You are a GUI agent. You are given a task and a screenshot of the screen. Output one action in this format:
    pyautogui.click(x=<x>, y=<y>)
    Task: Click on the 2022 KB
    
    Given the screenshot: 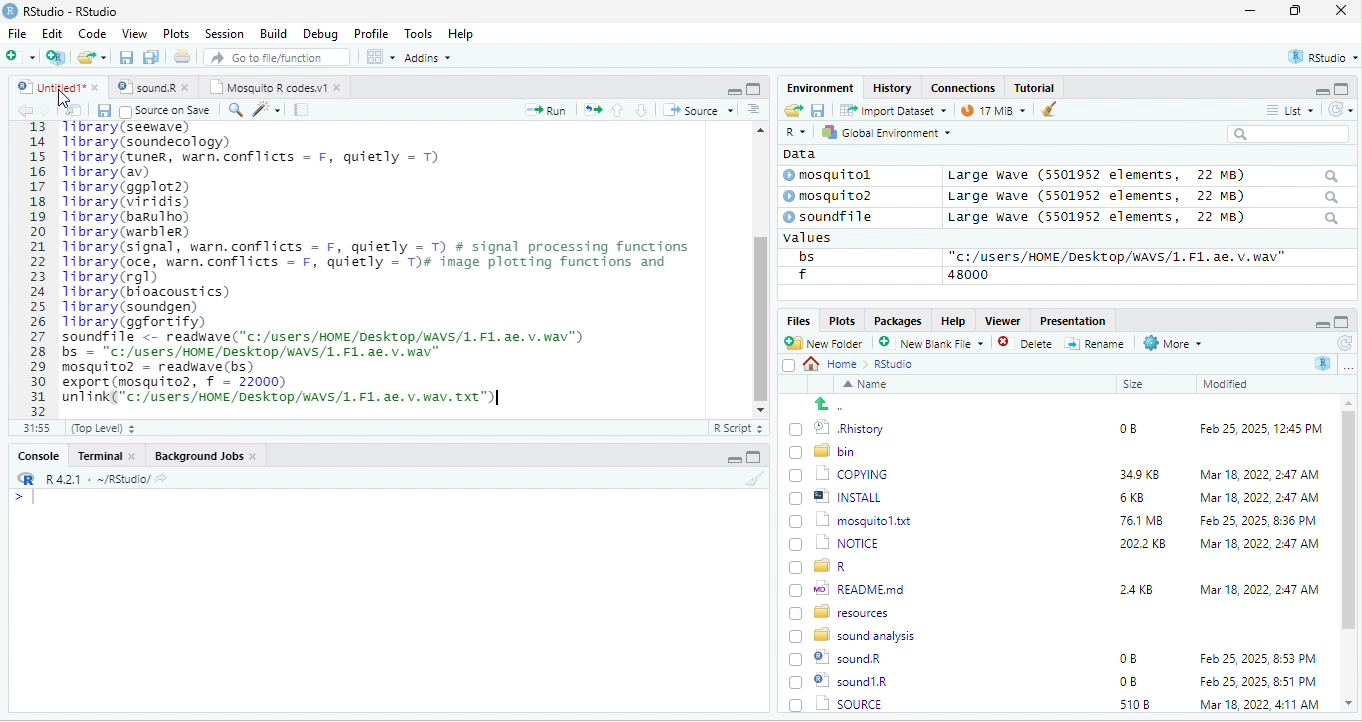 What is the action you would take?
    pyautogui.click(x=1144, y=545)
    